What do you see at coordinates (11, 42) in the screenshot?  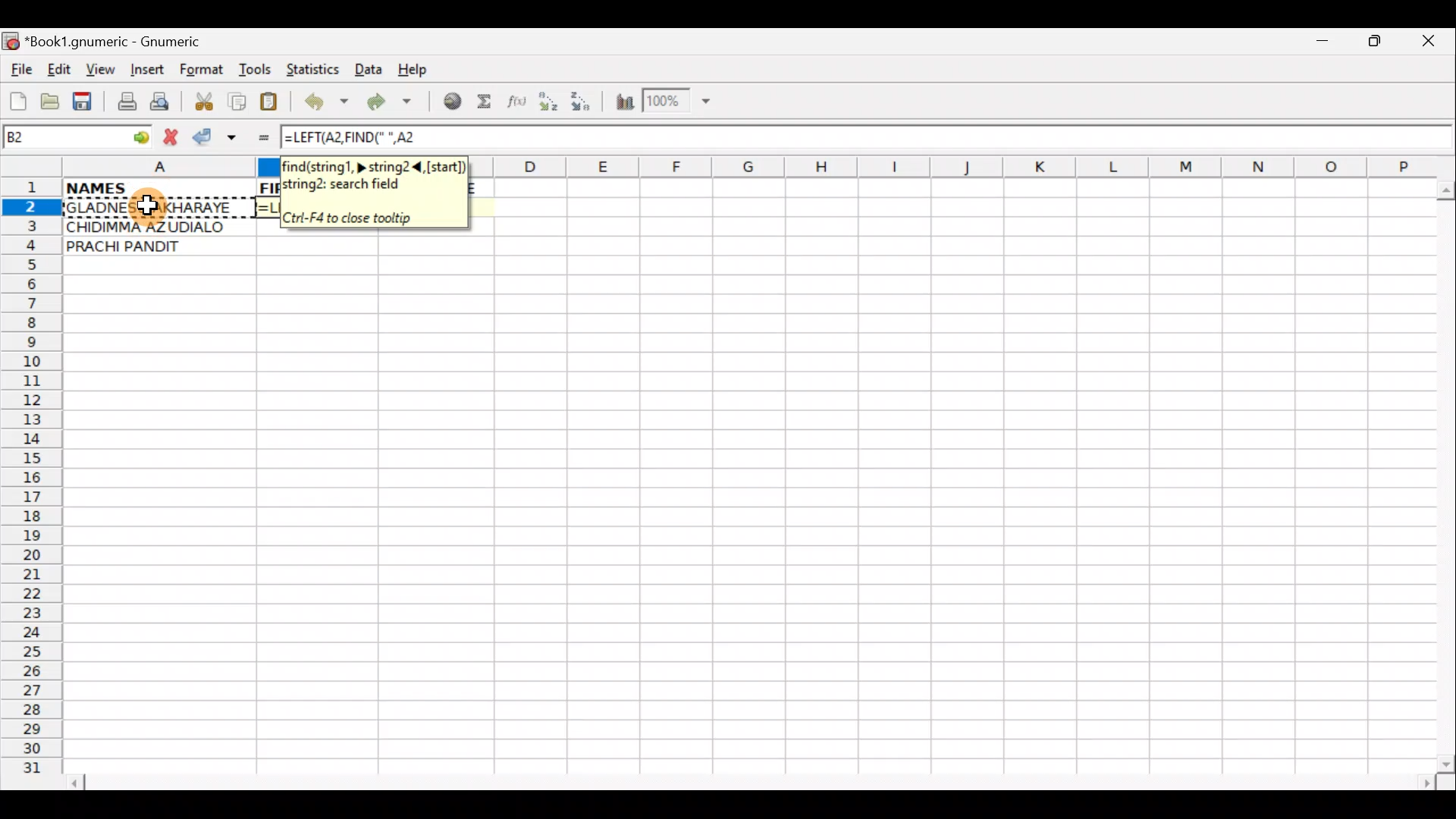 I see `Gnumeric logo` at bounding box center [11, 42].